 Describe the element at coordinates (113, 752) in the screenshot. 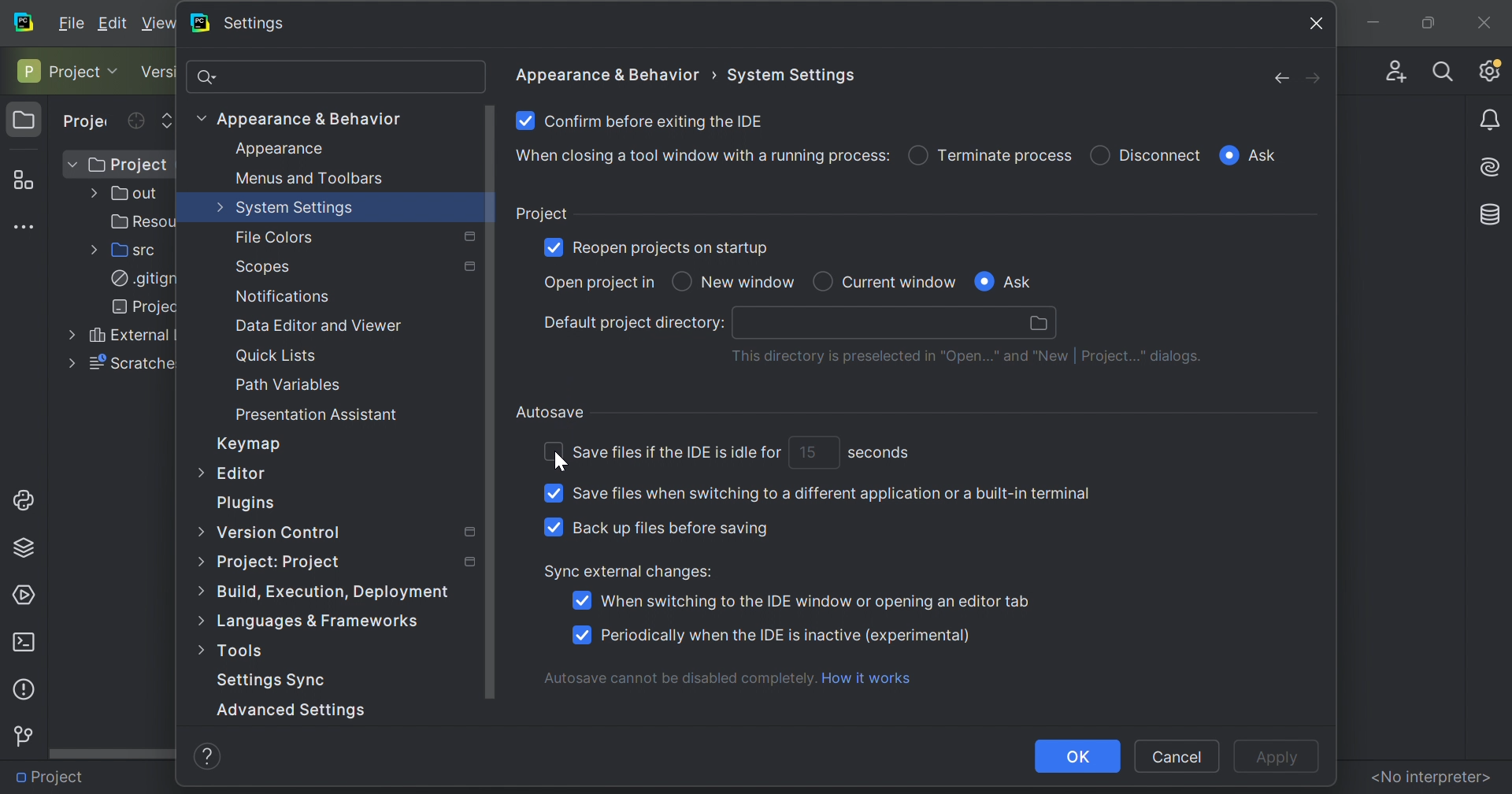

I see `Scroll bar` at that location.